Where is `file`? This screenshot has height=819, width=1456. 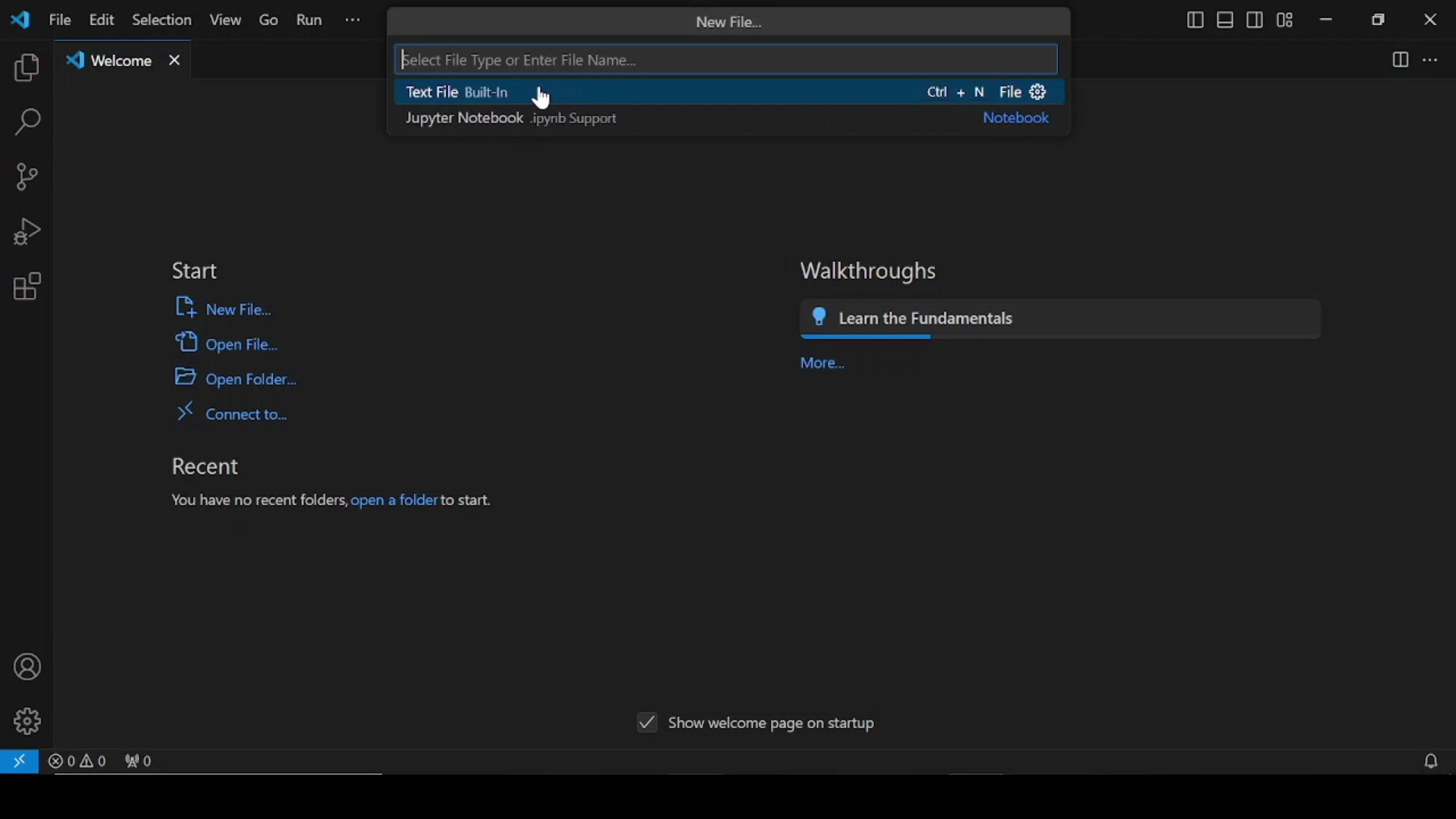
file is located at coordinates (58, 19).